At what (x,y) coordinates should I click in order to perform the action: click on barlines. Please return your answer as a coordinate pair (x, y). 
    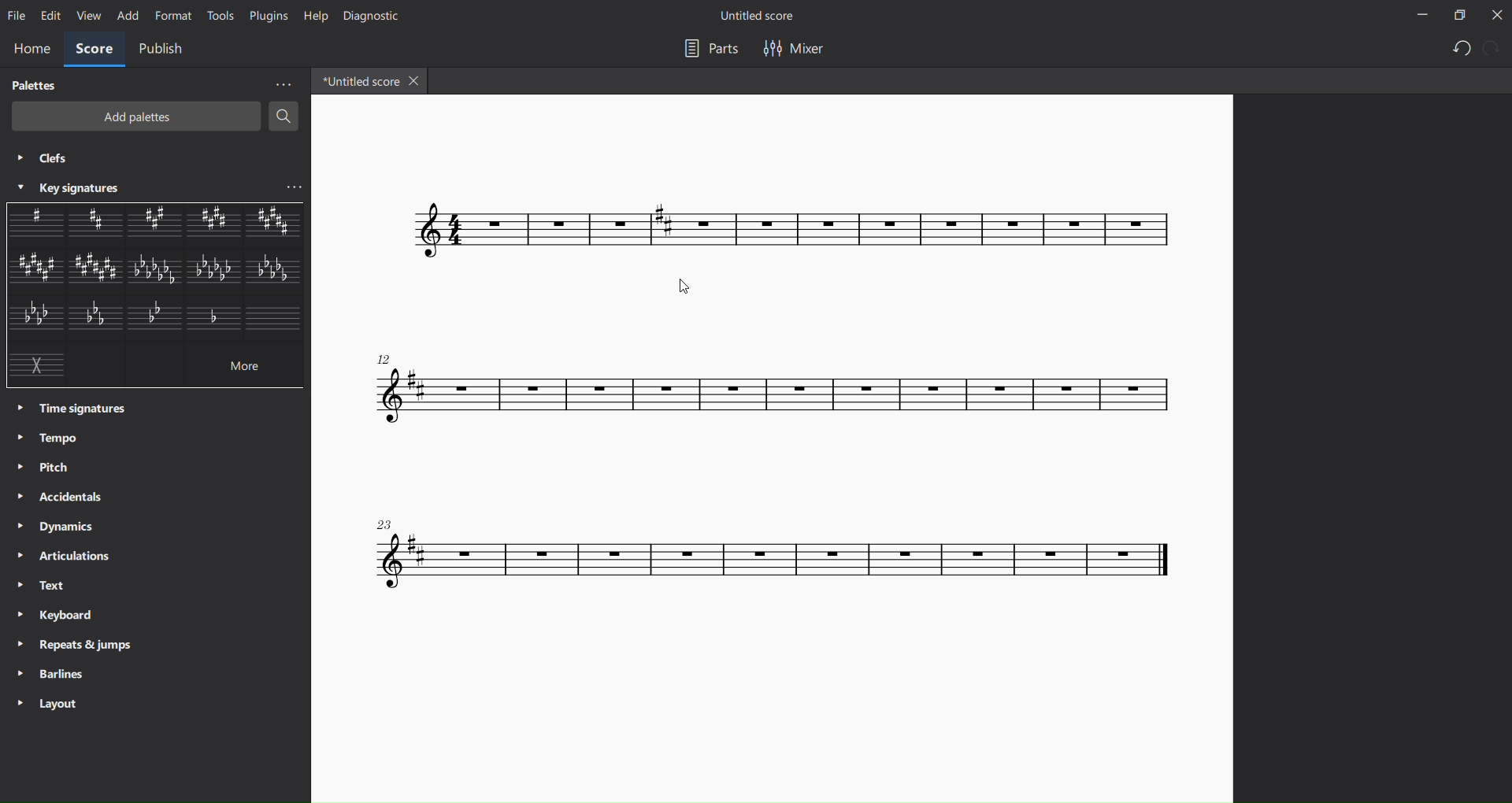
    Looking at the image, I should click on (51, 675).